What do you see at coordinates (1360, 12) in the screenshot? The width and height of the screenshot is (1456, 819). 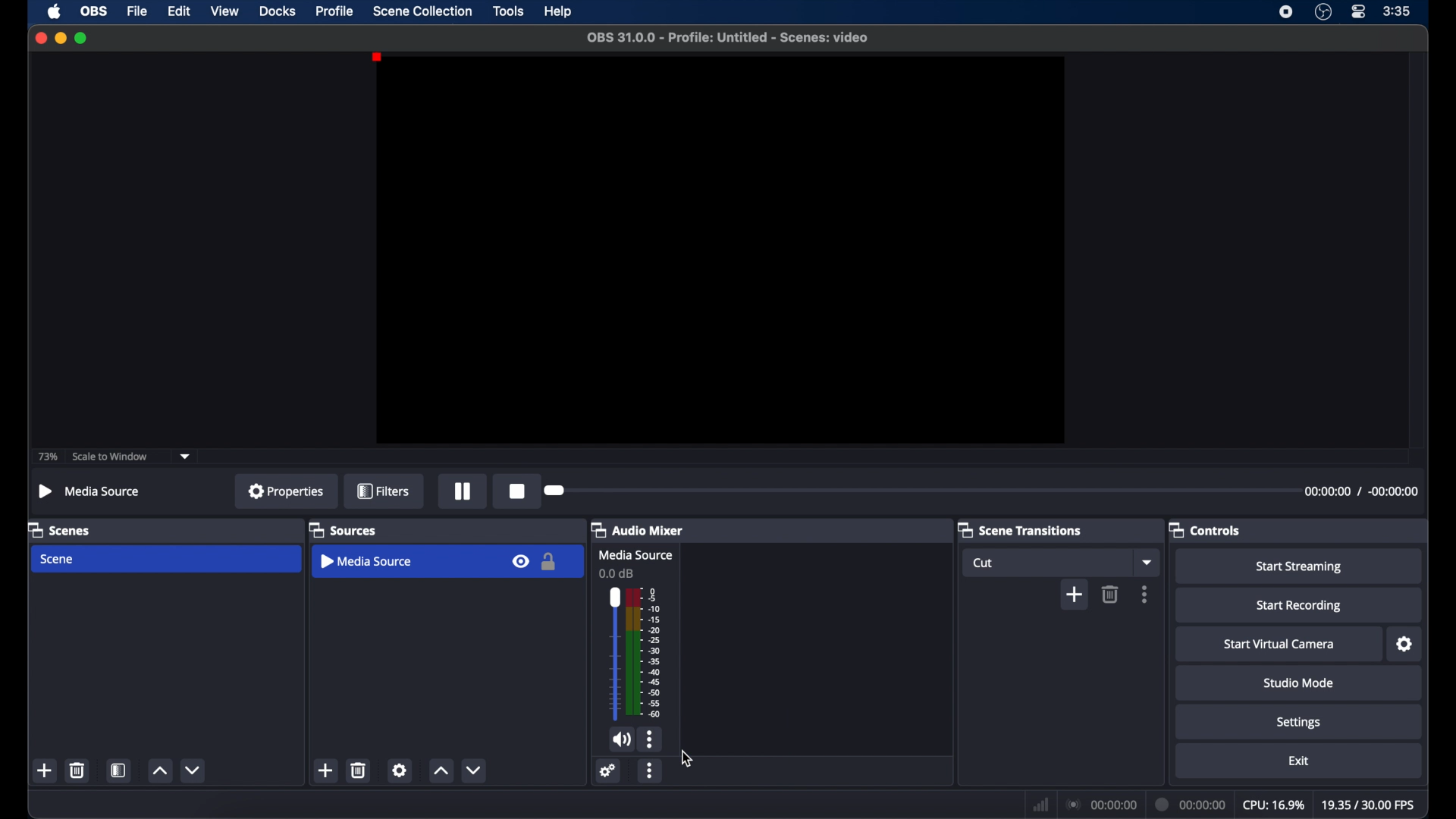 I see `control center` at bounding box center [1360, 12].